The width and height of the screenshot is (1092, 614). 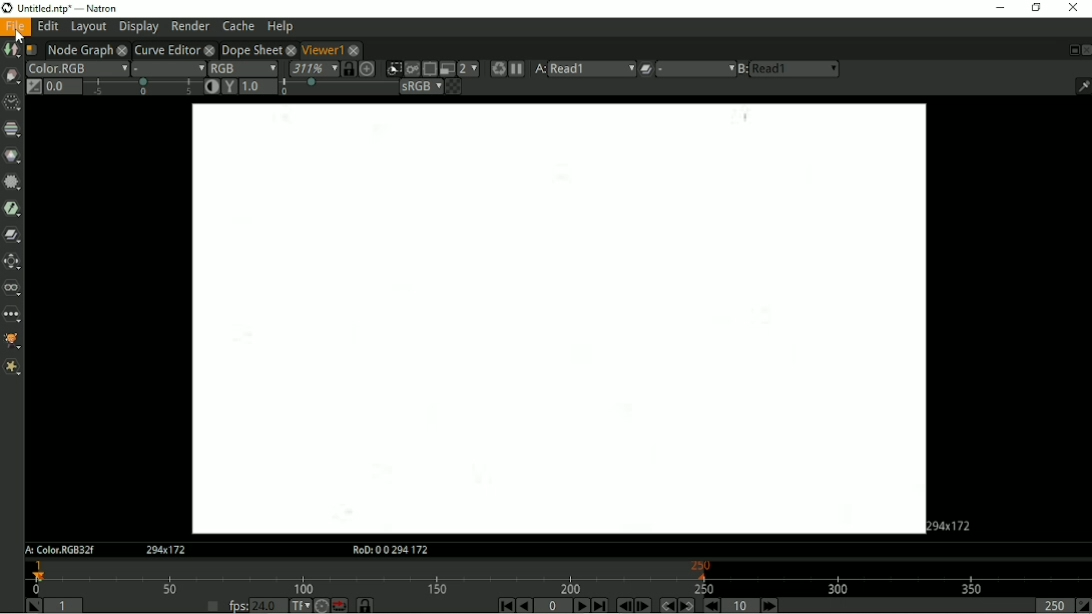 What do you see at coordinates (599, 605) in the screenshot?
I see `Last frame` at bounding box center [599, 605].